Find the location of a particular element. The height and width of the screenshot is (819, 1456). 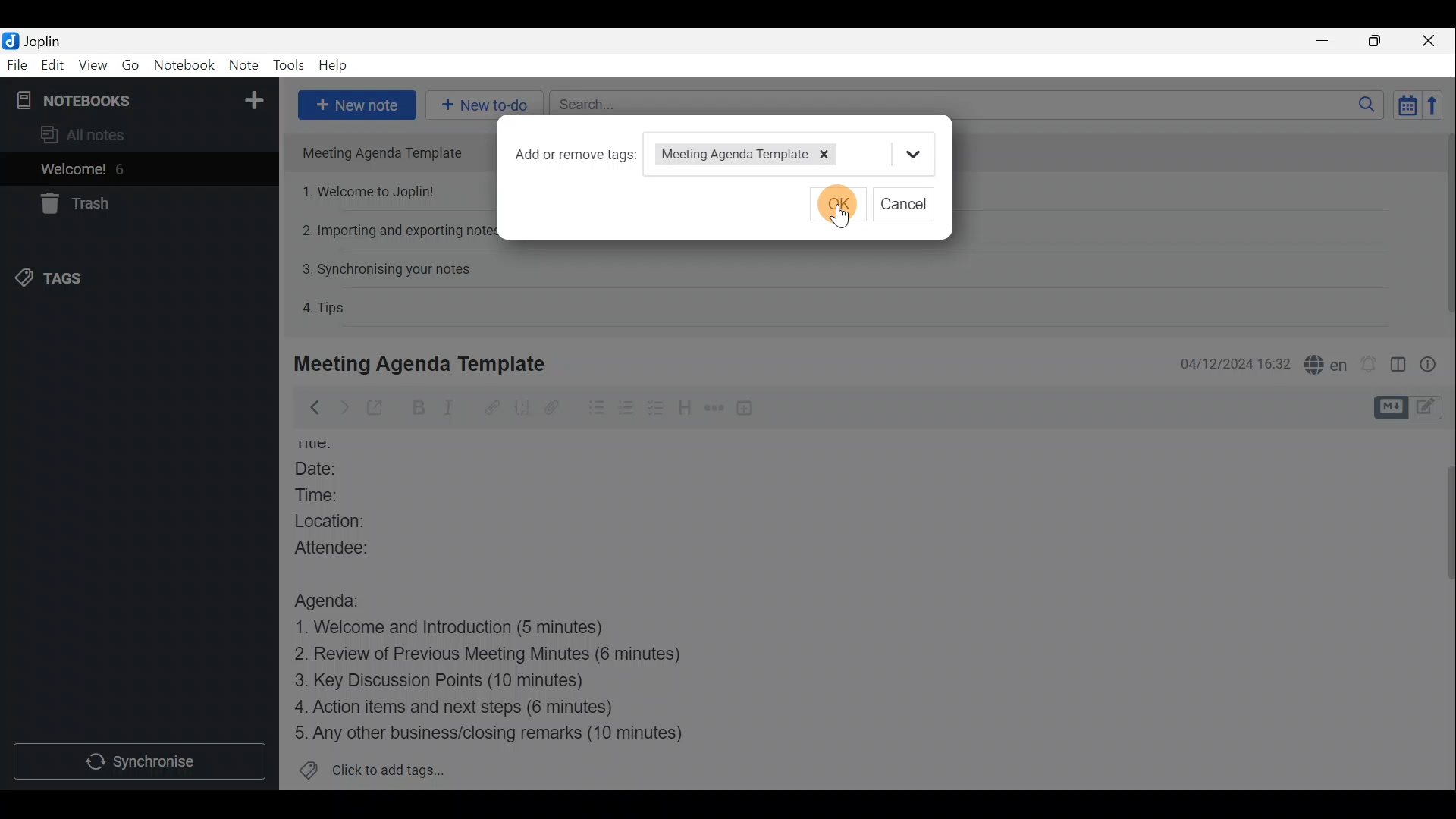

Help is located at coordinates (336, 65).